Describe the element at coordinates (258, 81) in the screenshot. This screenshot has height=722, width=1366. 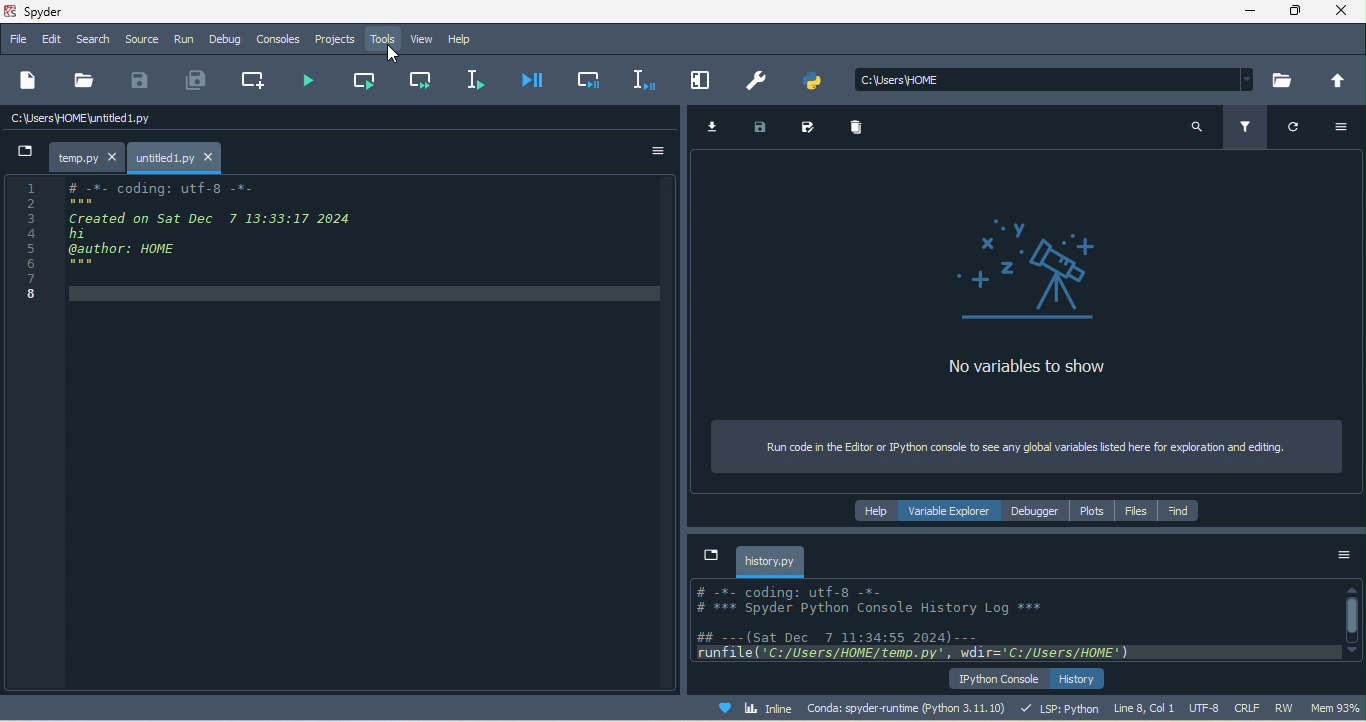
I see `create new cell` at that location.